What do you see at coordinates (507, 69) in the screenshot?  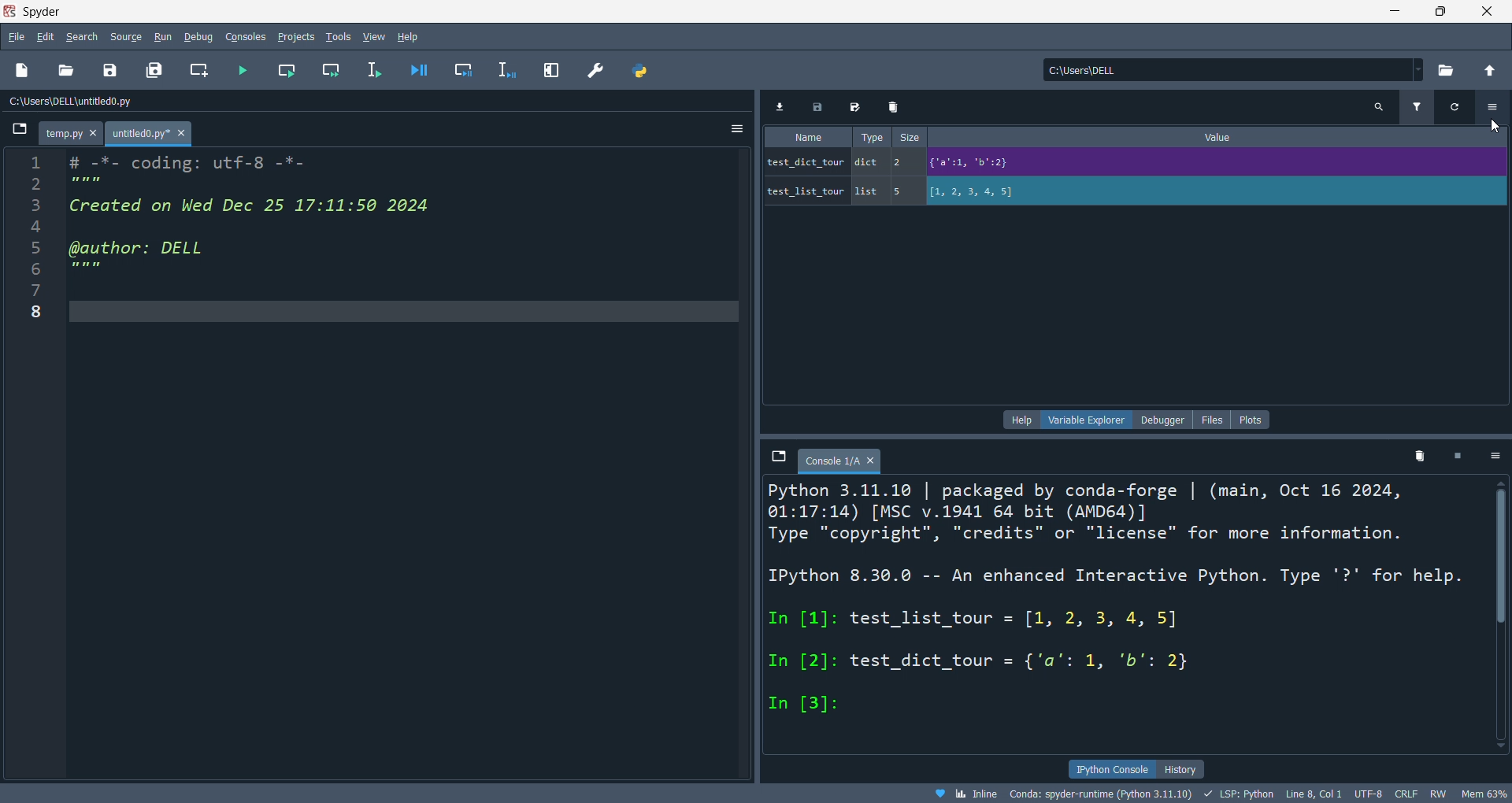 I see `debug line` at bounding box center [507, 69].